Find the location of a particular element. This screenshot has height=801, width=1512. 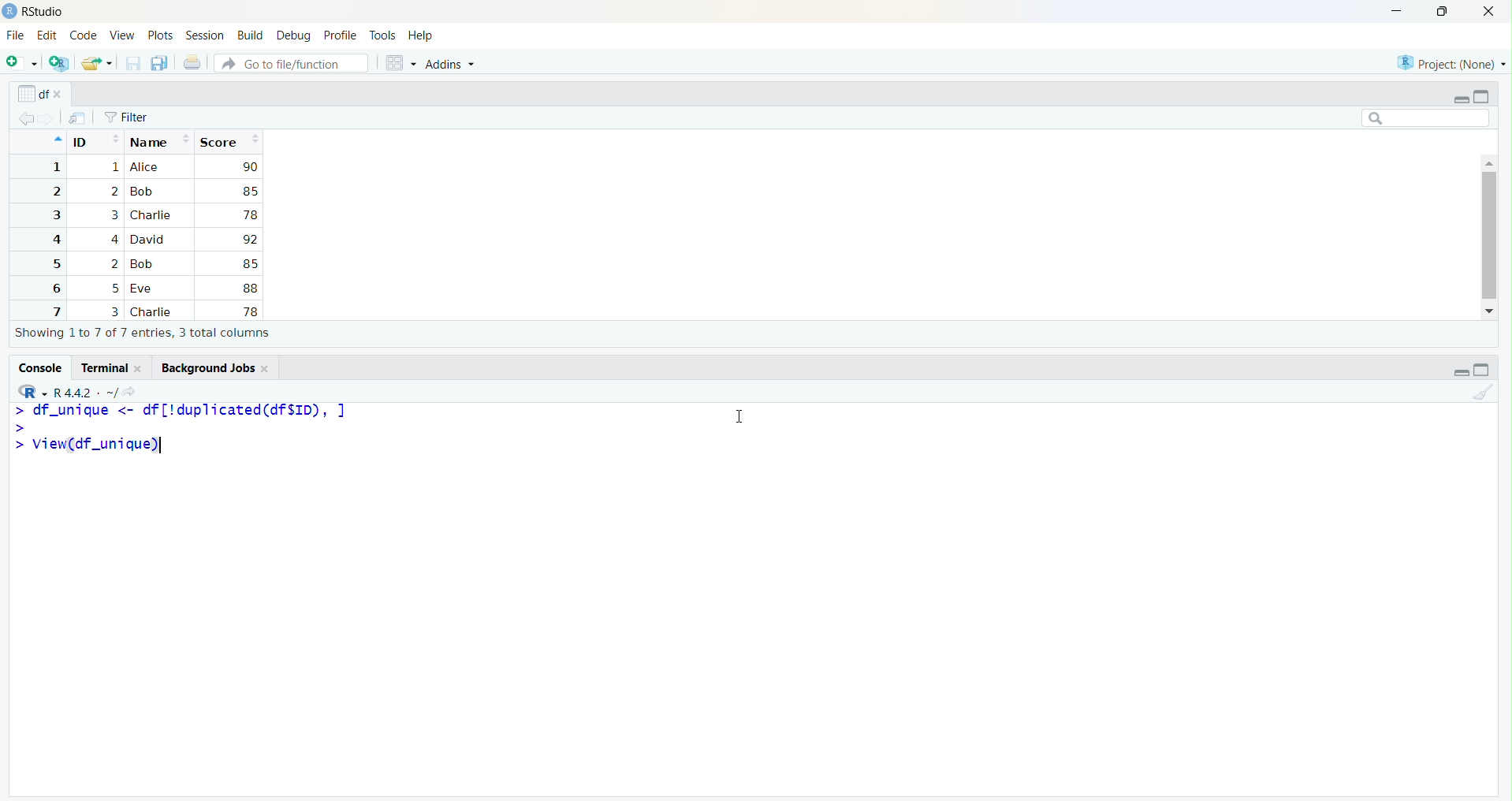

Addins is located at coordinates (450, 65).